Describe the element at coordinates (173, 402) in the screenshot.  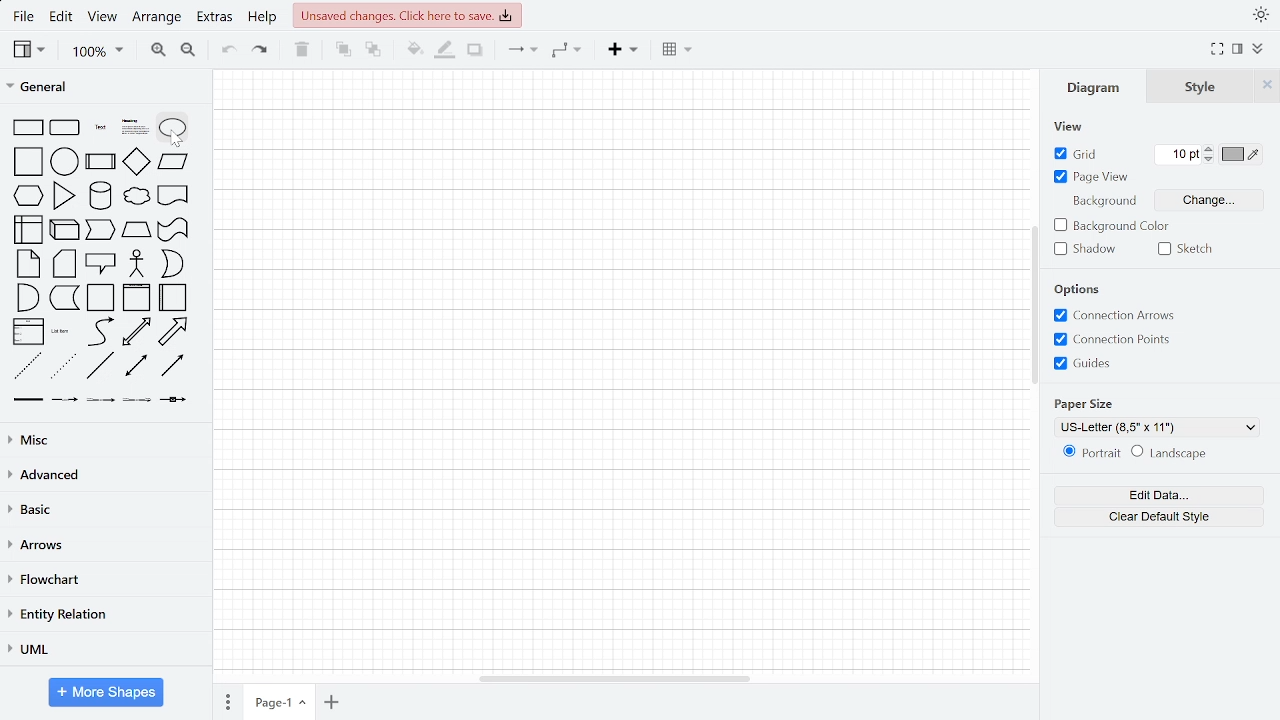
I see `connector with symbol` at that location.